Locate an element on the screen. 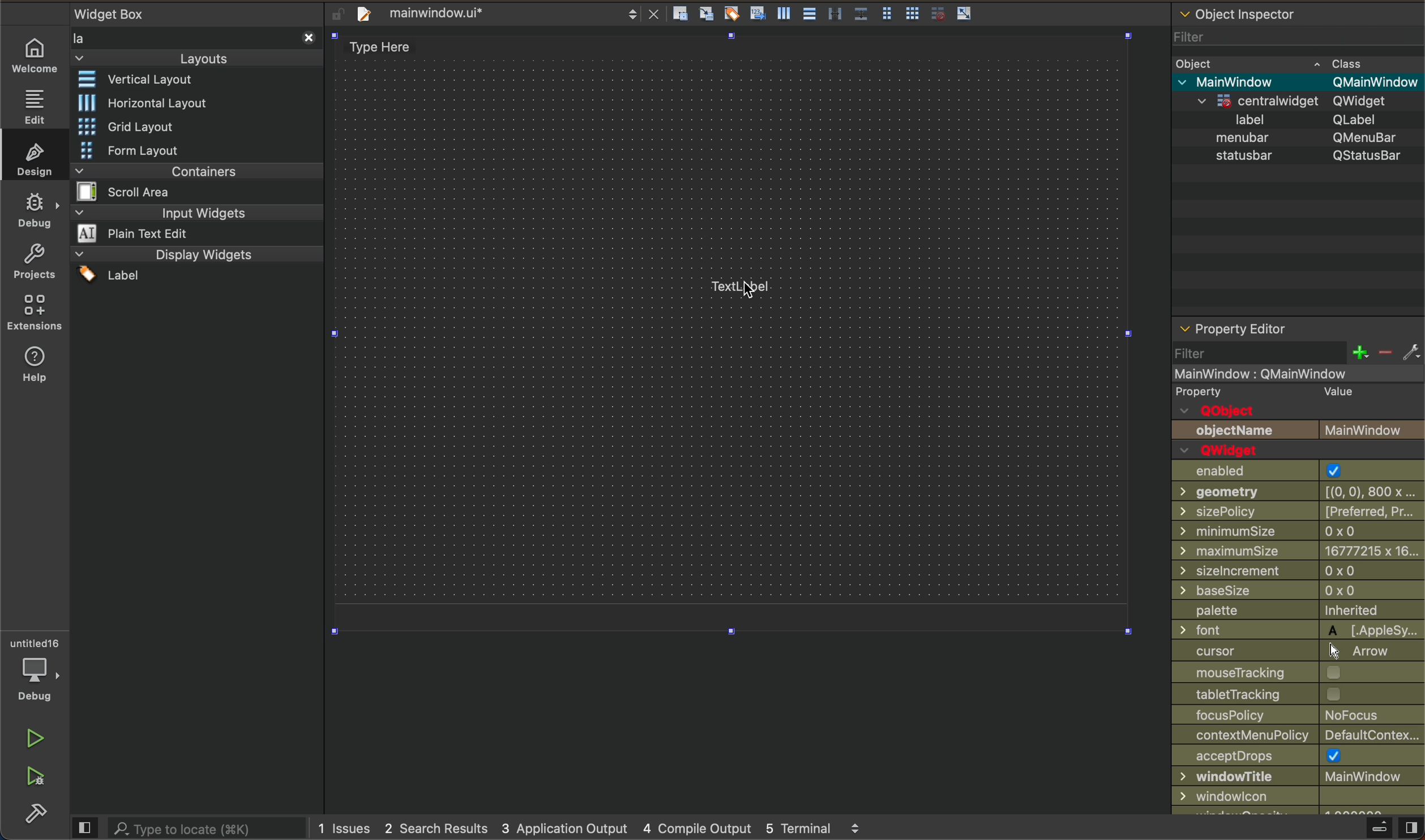 This screenshot has height=840, width=1425. status bar is located at coordinates (1301, 161).